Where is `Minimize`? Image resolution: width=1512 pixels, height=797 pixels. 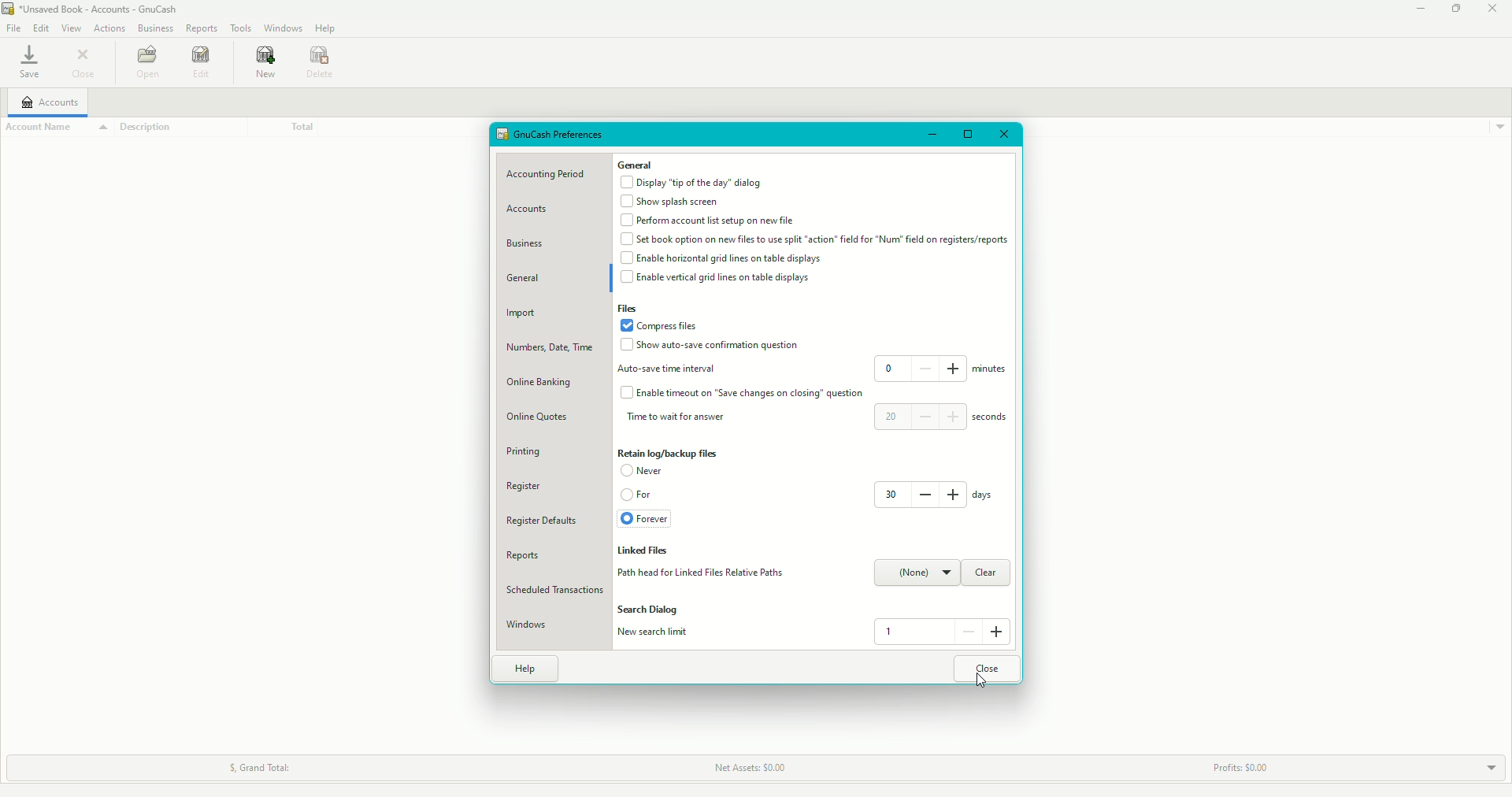
Minimize is located at coordinates (1417, 9).